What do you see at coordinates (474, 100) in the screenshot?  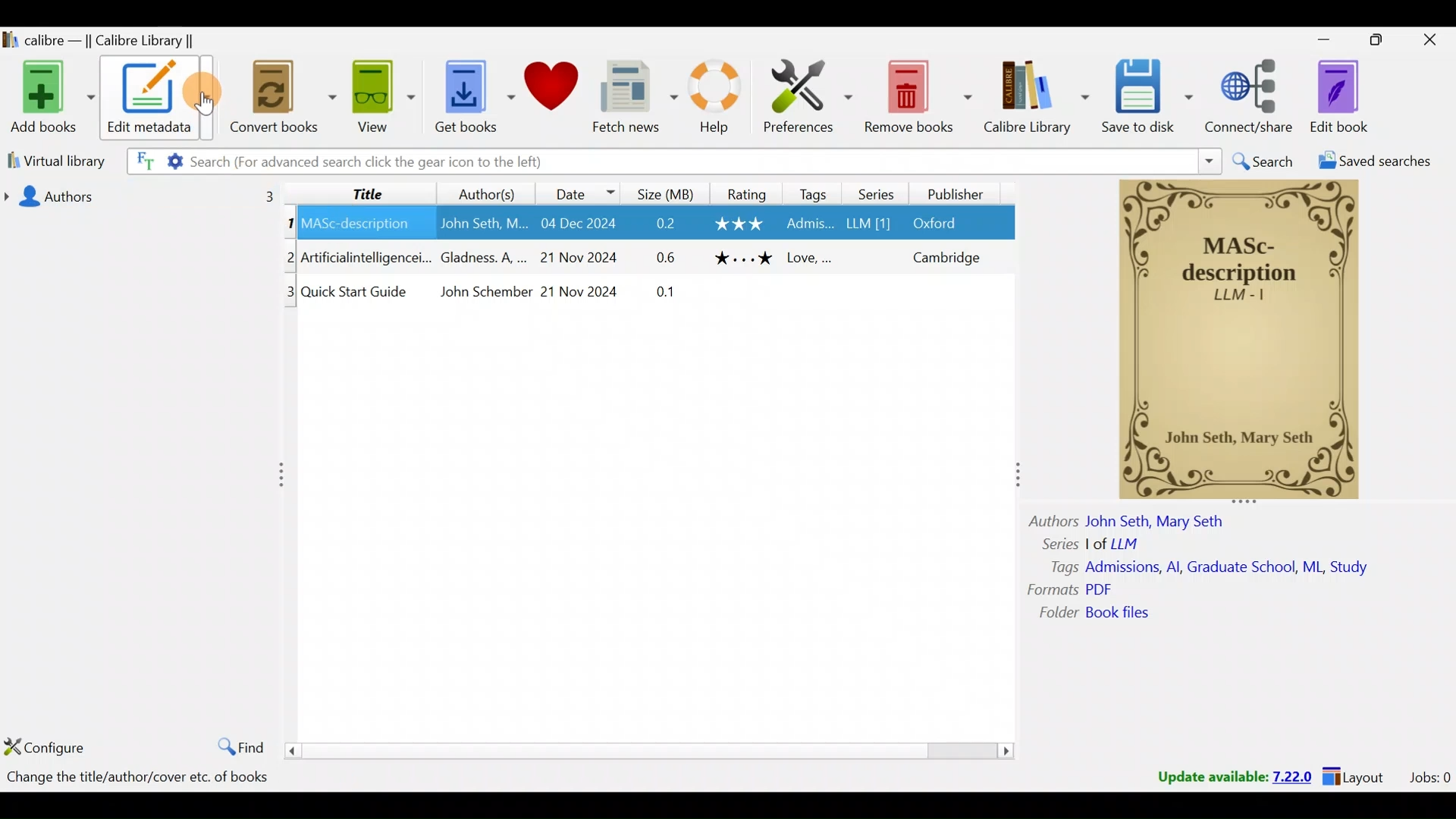 I see `Get books` at bounding box center [474, 100].